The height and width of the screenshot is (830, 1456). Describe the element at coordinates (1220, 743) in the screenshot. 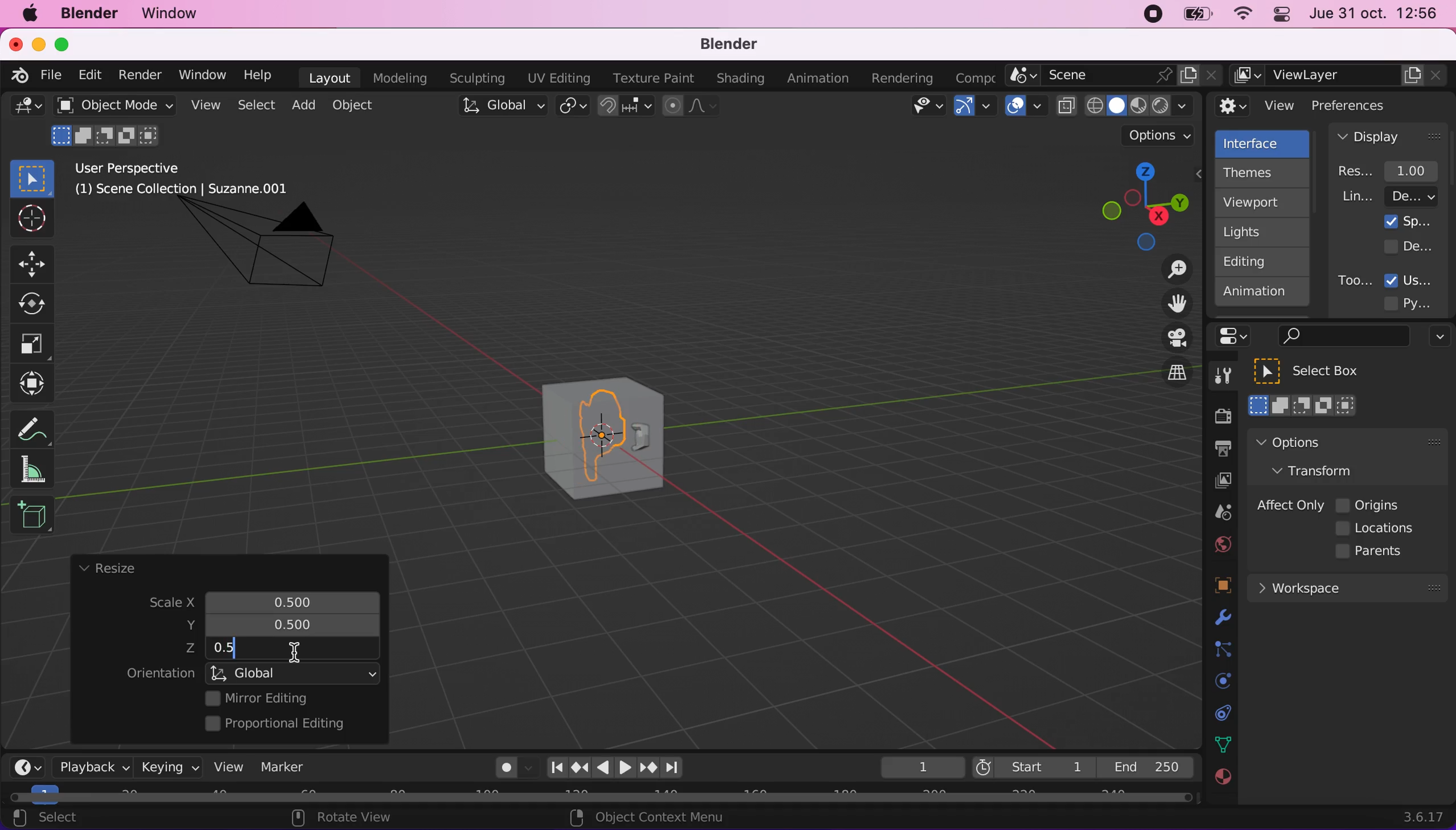

I see `data` at that location.